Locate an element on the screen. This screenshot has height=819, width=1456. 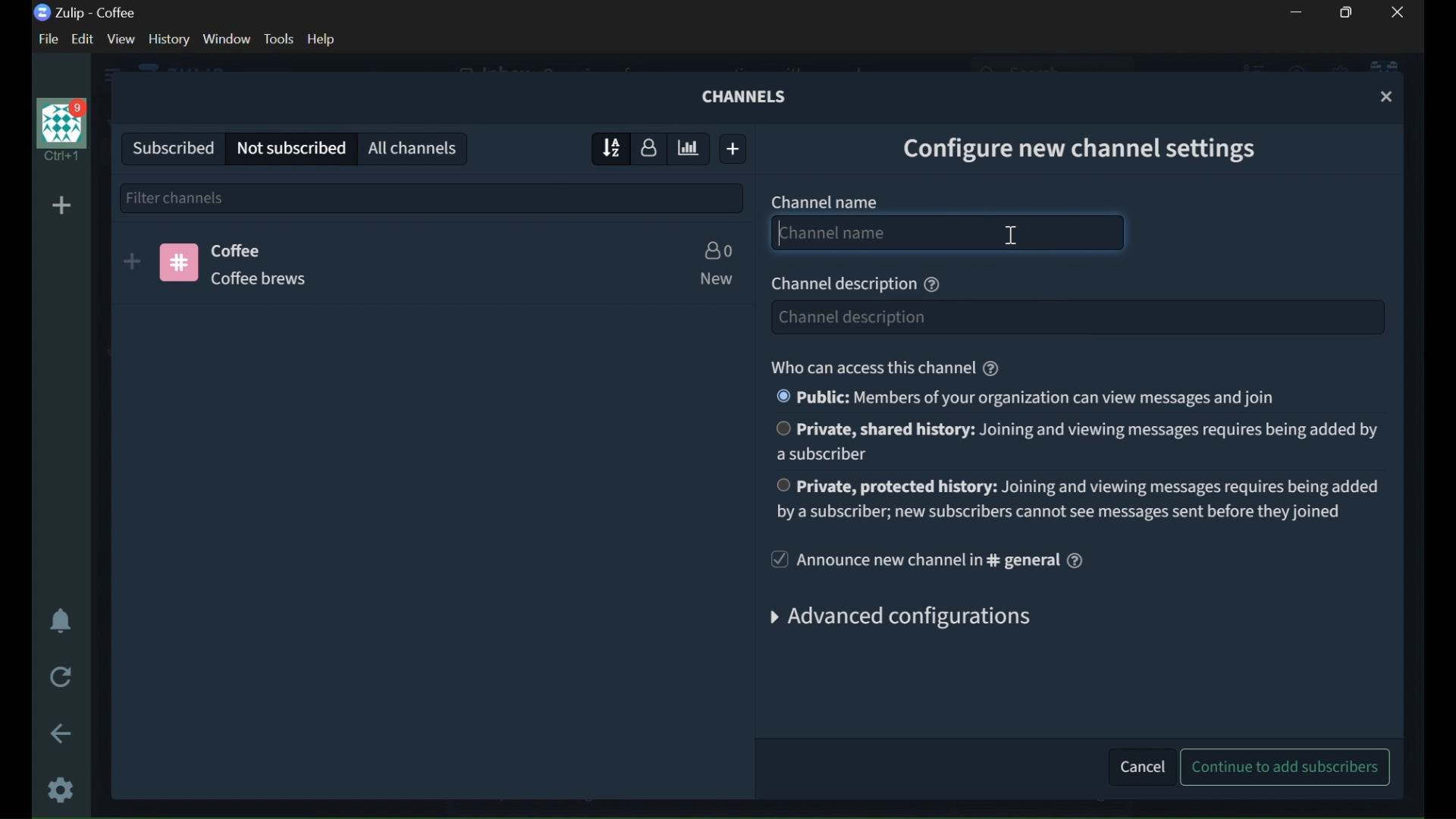
HISTORY is located at coordinates (170, 39).